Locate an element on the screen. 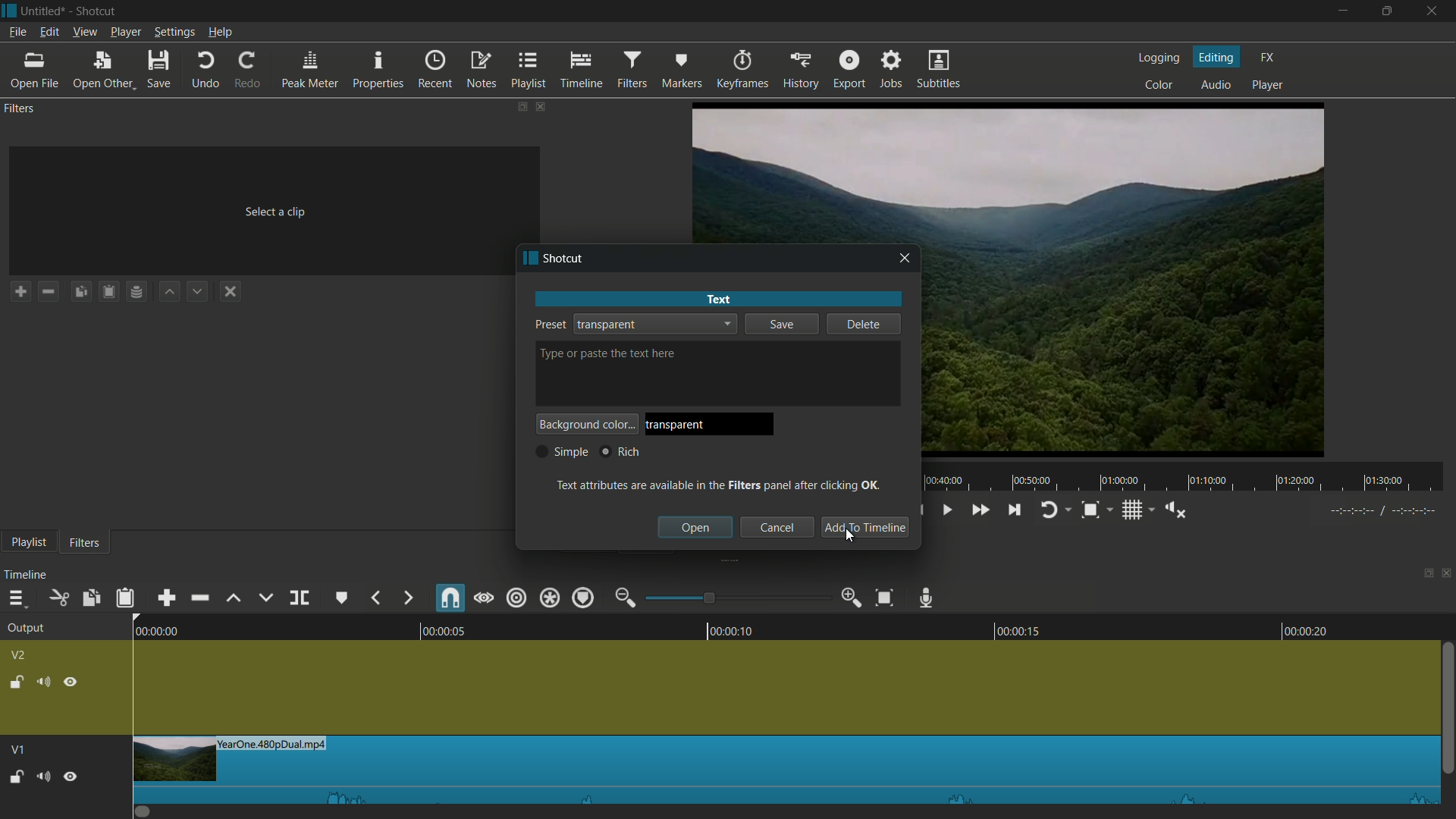 The width and height of the screenshot is (1456, 819). v2 is located at coordinates (20, 654).